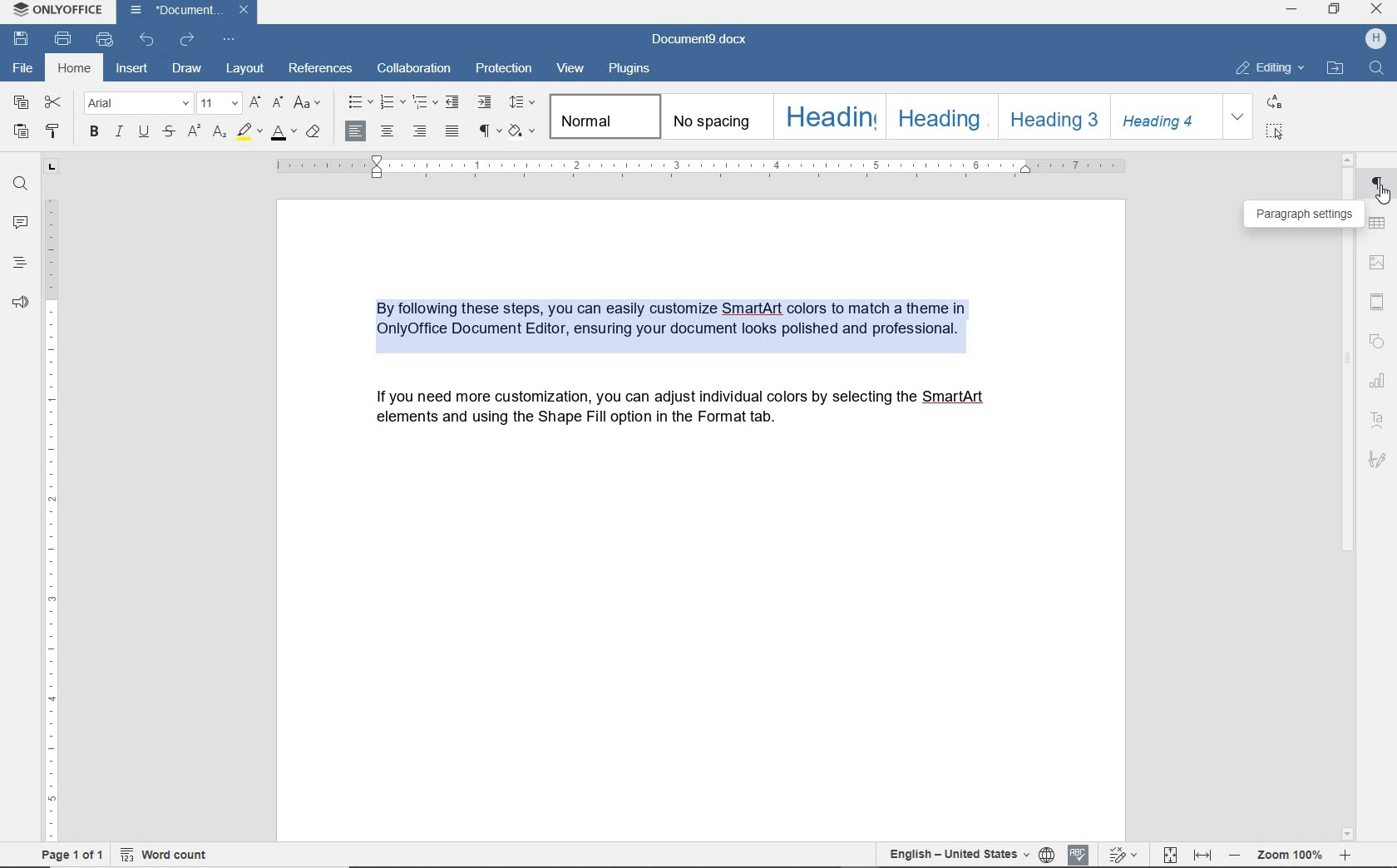 Image resolution: width=1397 pixels, height=868 pixels. What do you see at coordinates (23, 106) in the screenshot?
I see `copy` at bounding box center [23, 106].